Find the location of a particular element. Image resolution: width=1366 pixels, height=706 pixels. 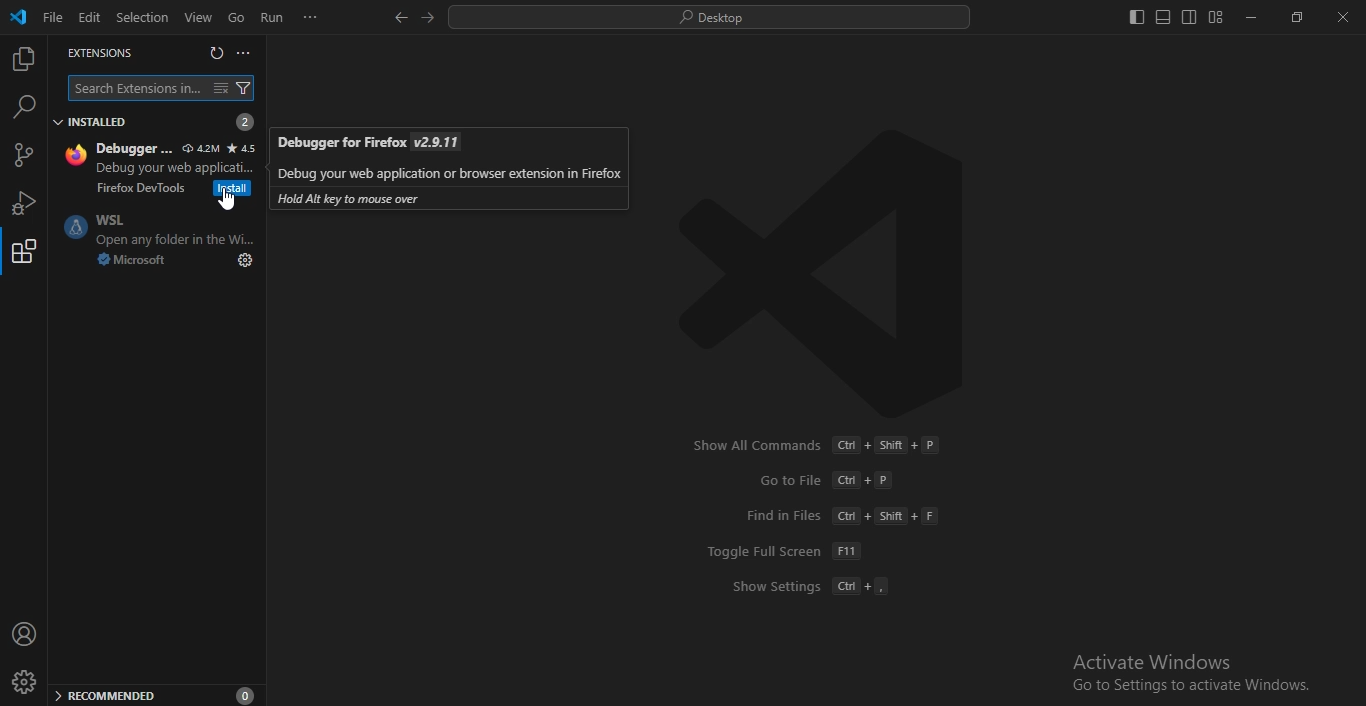

go back is located at coordinates (398, 17).